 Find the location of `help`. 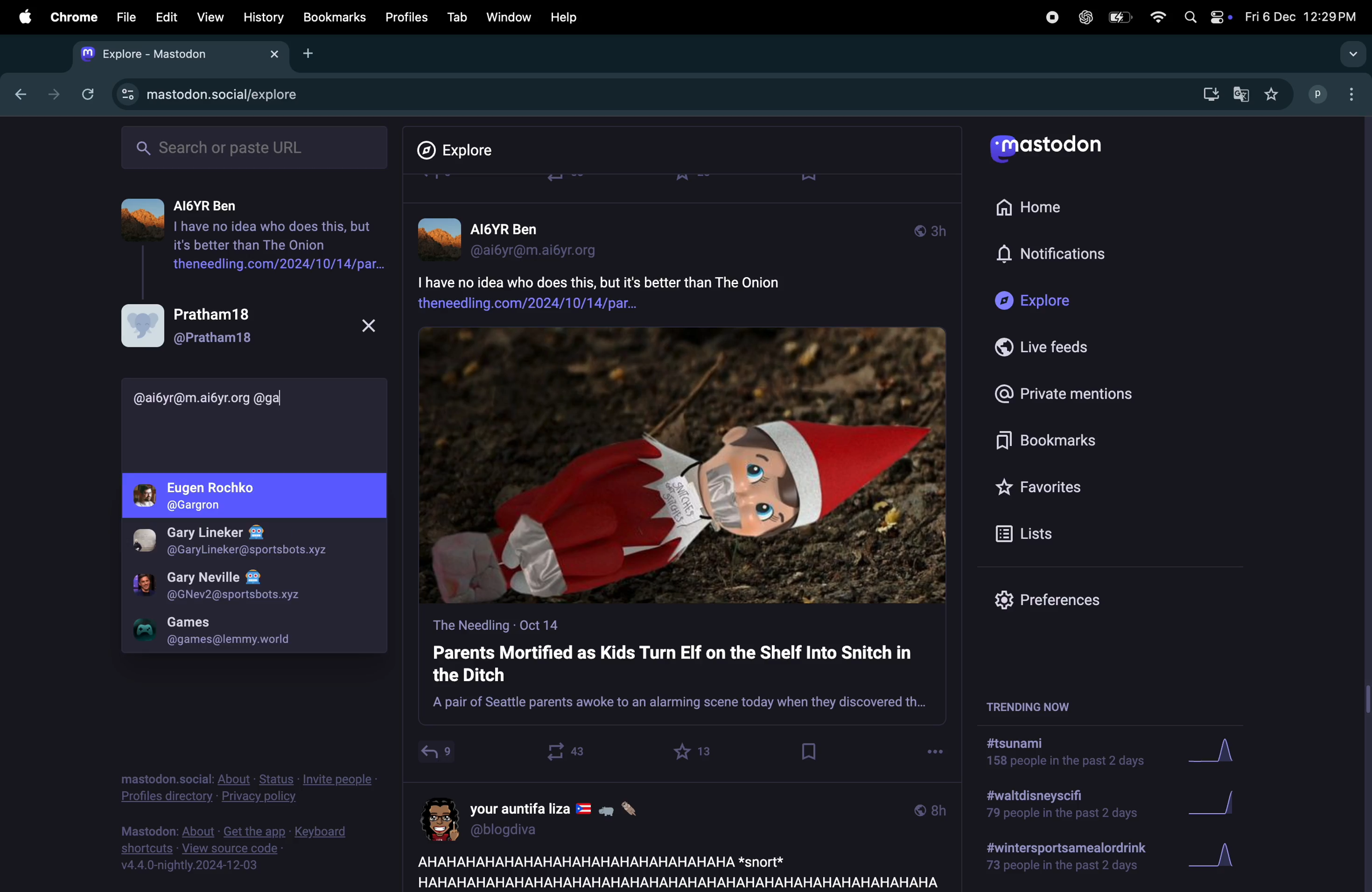

help is located at coordinates (564, 17).